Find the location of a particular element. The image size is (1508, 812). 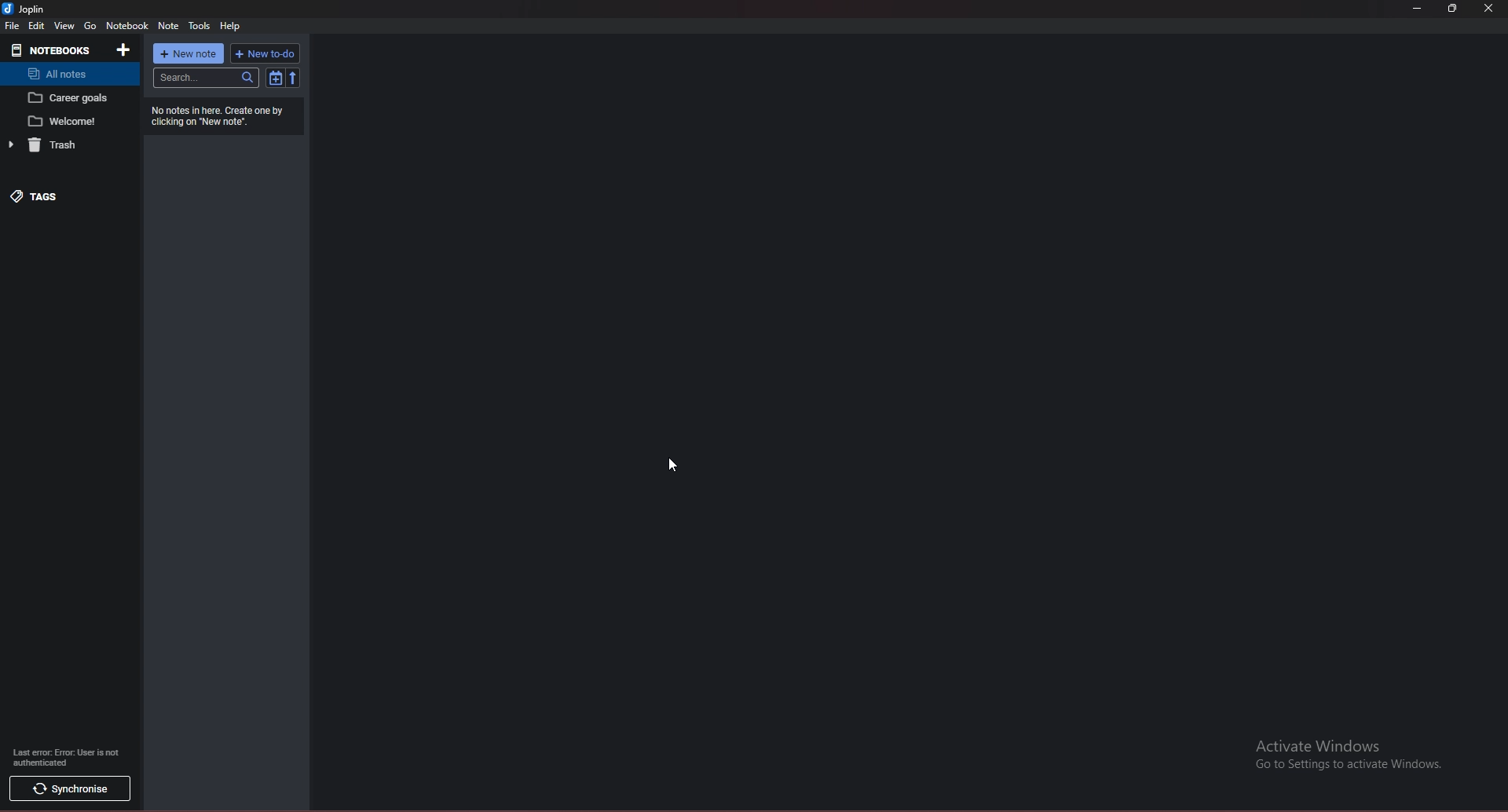

search is located at coordinates (206, 78).